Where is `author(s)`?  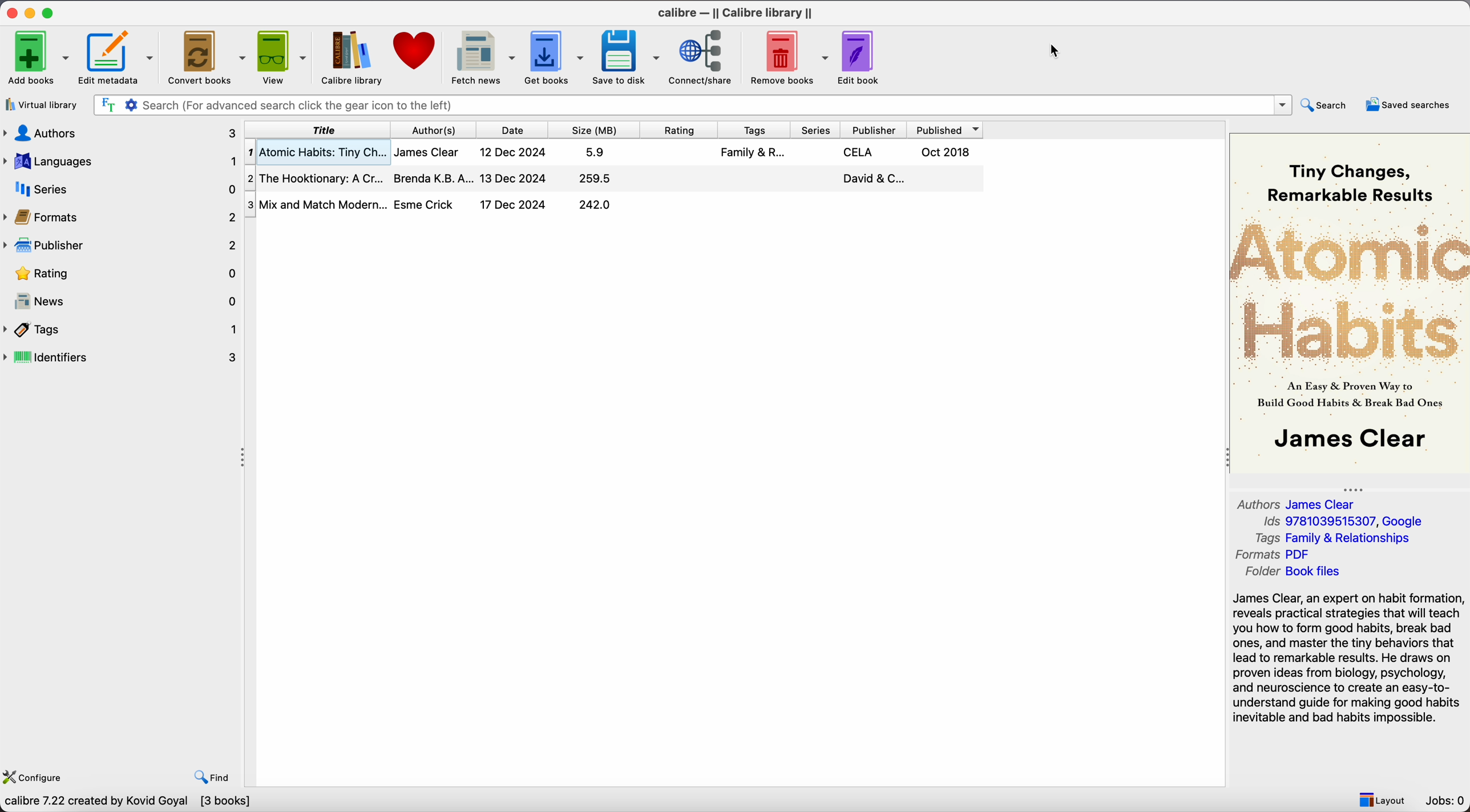
author(s) is located at coordinates (439, 130).